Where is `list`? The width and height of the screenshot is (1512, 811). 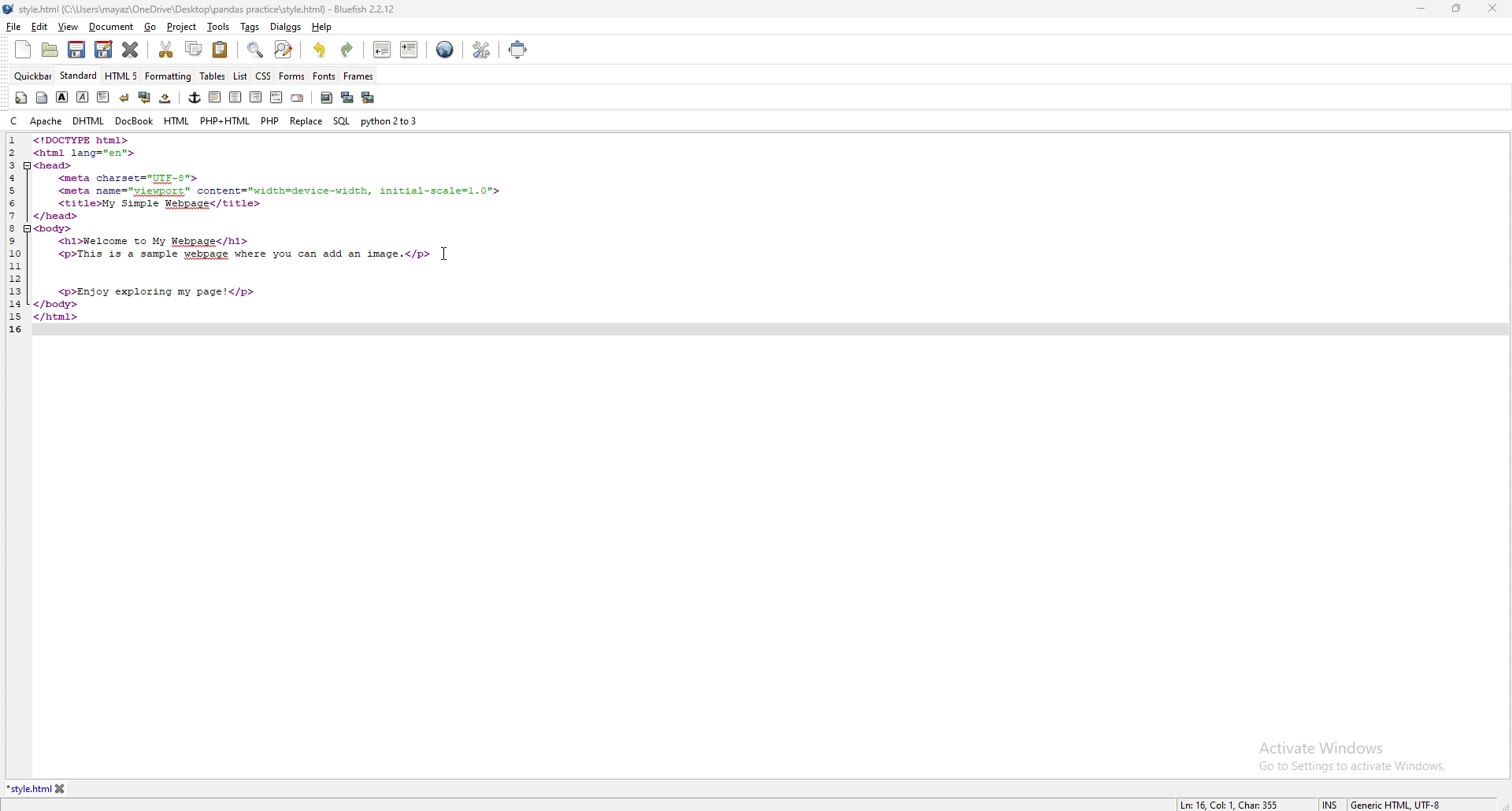 list is located at coordinates (240, 77).